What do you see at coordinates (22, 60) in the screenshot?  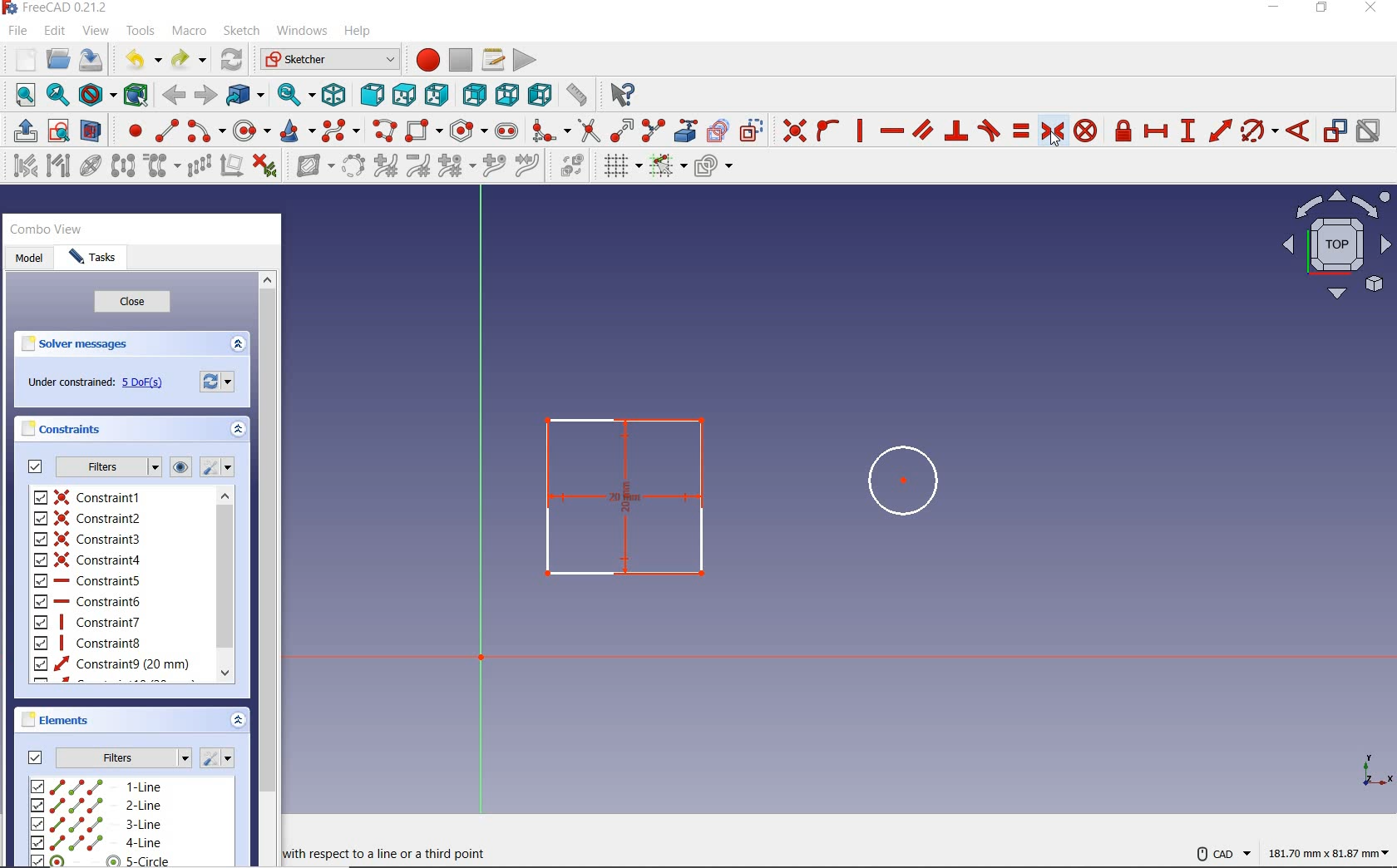 I see `new` at bounding box center [22, 60].